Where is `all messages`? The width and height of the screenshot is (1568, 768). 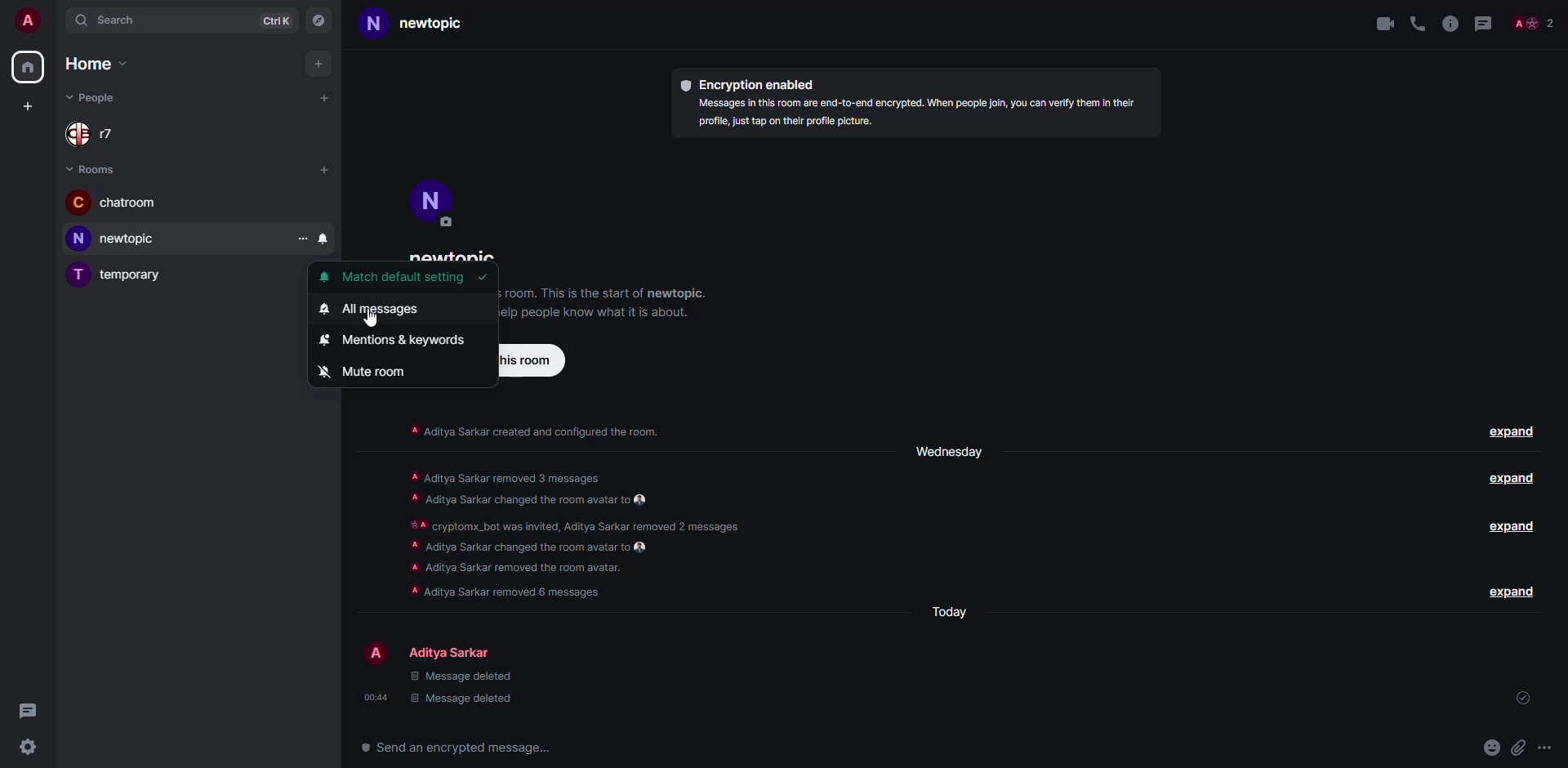 all messages is located at coordinates (372, 309).